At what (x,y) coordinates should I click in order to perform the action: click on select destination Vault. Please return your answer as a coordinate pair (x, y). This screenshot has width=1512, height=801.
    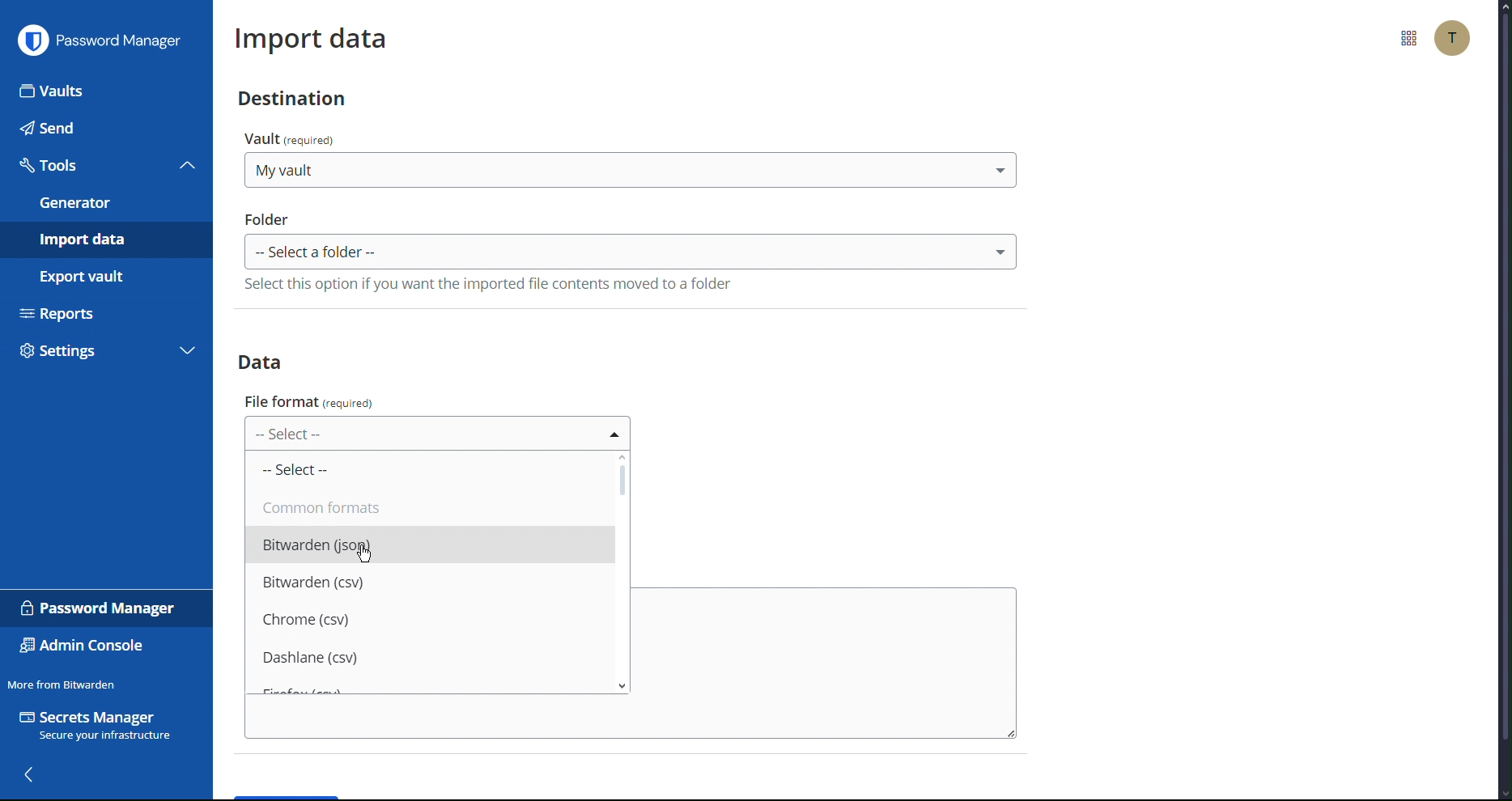
    Looking at the image, I should click on (629, 169).